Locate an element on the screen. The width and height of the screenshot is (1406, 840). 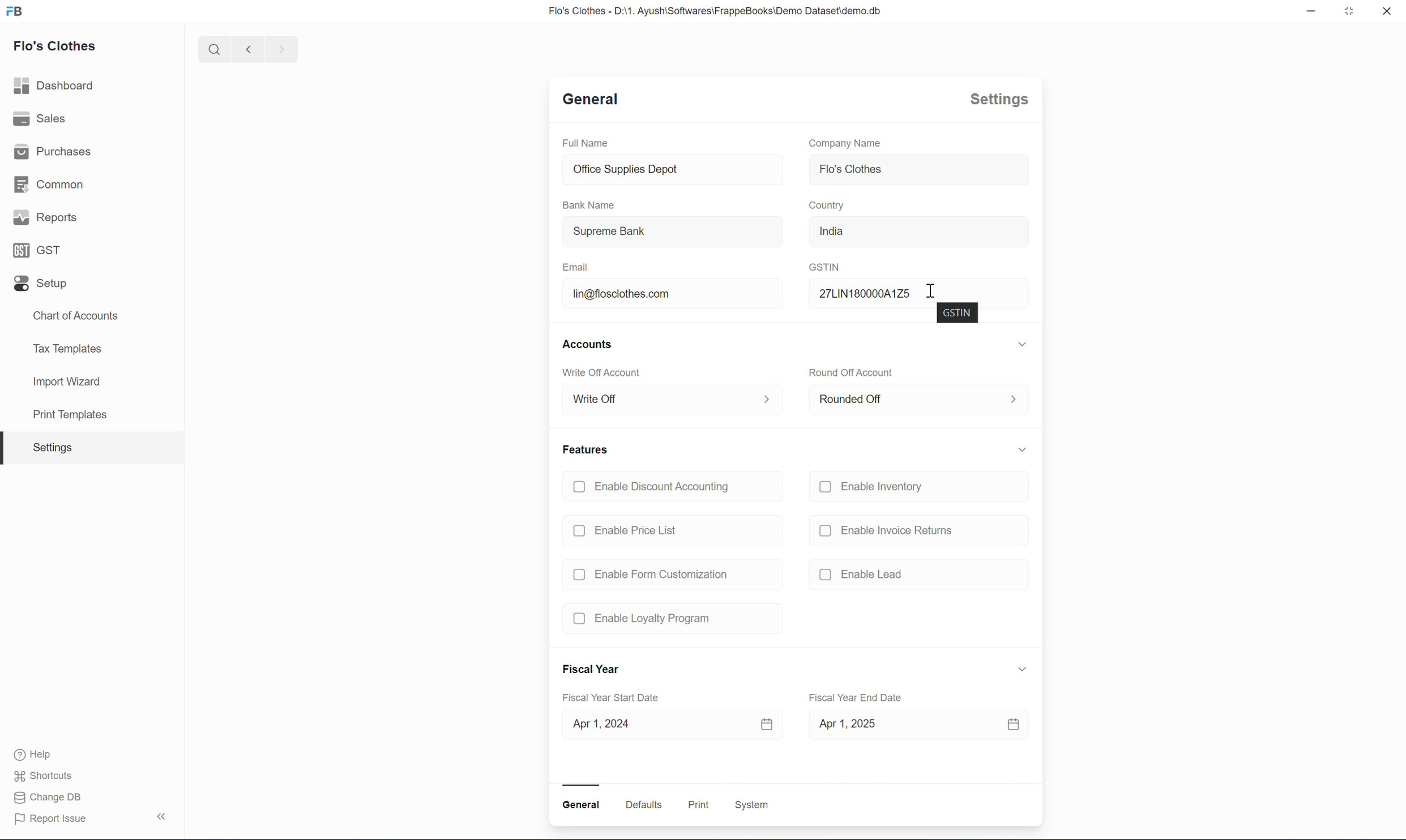
Flo's Clothes - D:\1. Ayush\Softwares\FrappeBooks\Demo Dataset\demo.db is located at coordinates (713, 10).